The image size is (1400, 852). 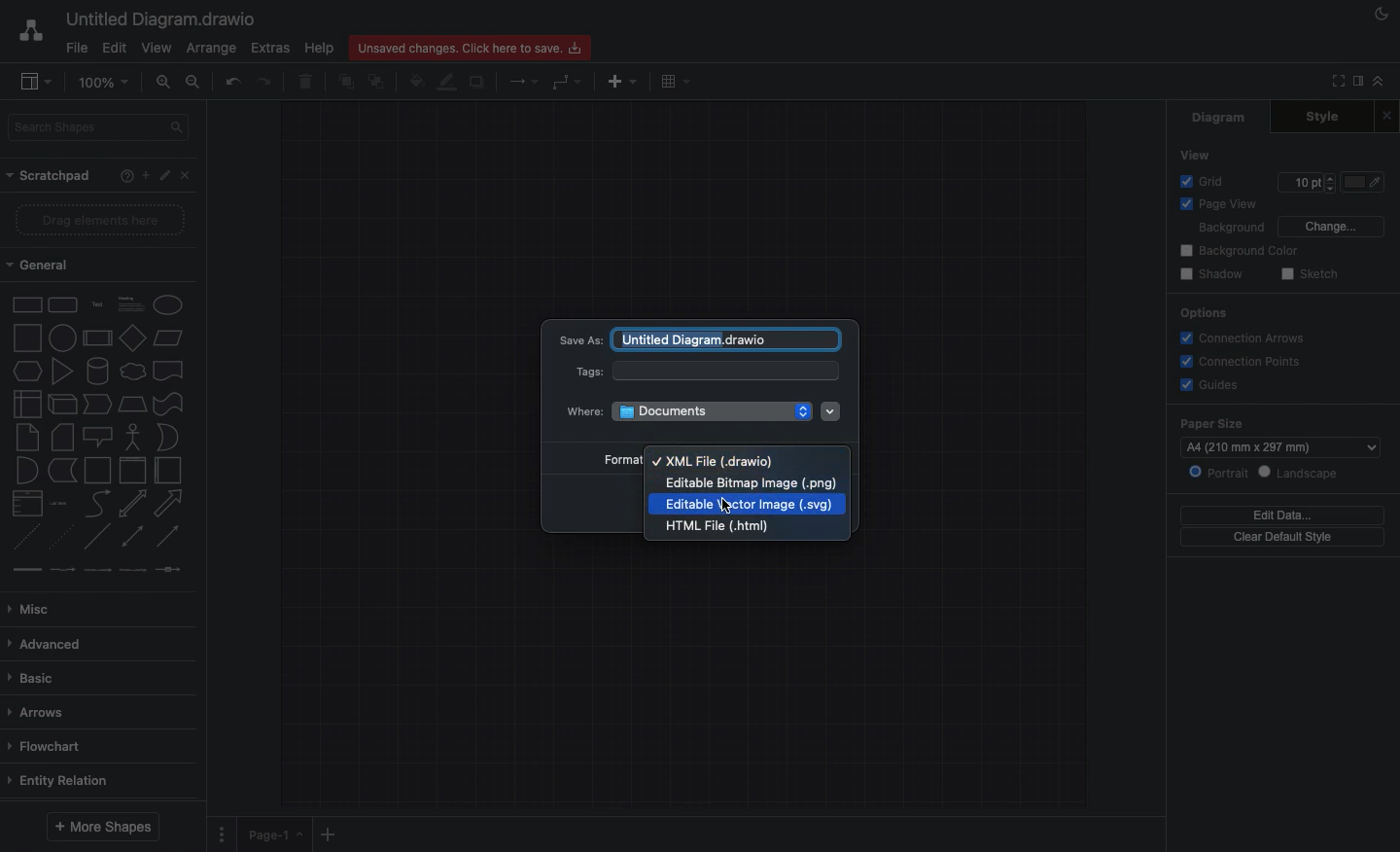 I want to click on Draw.io, so click(x=25, y=34).